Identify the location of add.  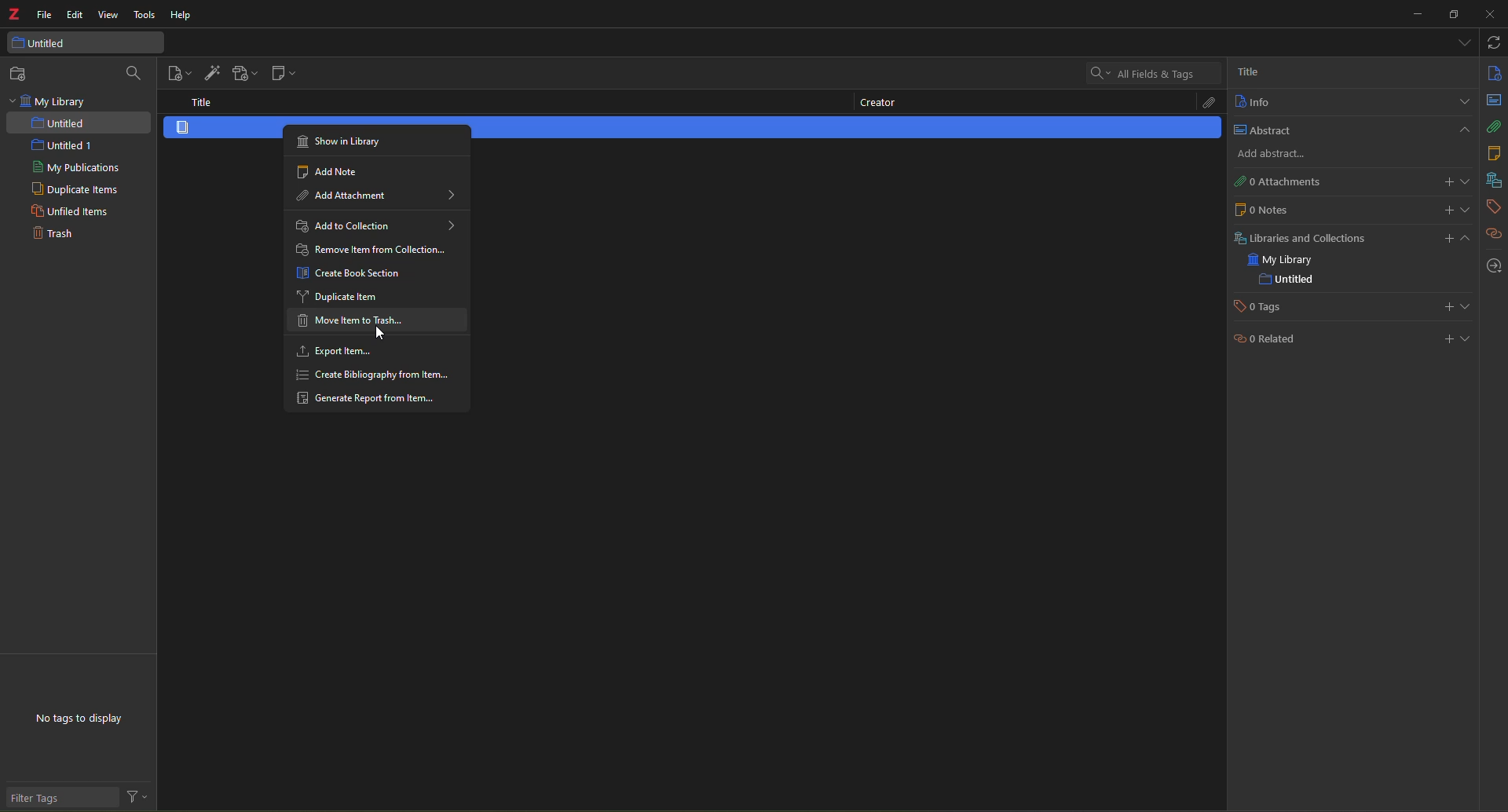
(1446, 307).